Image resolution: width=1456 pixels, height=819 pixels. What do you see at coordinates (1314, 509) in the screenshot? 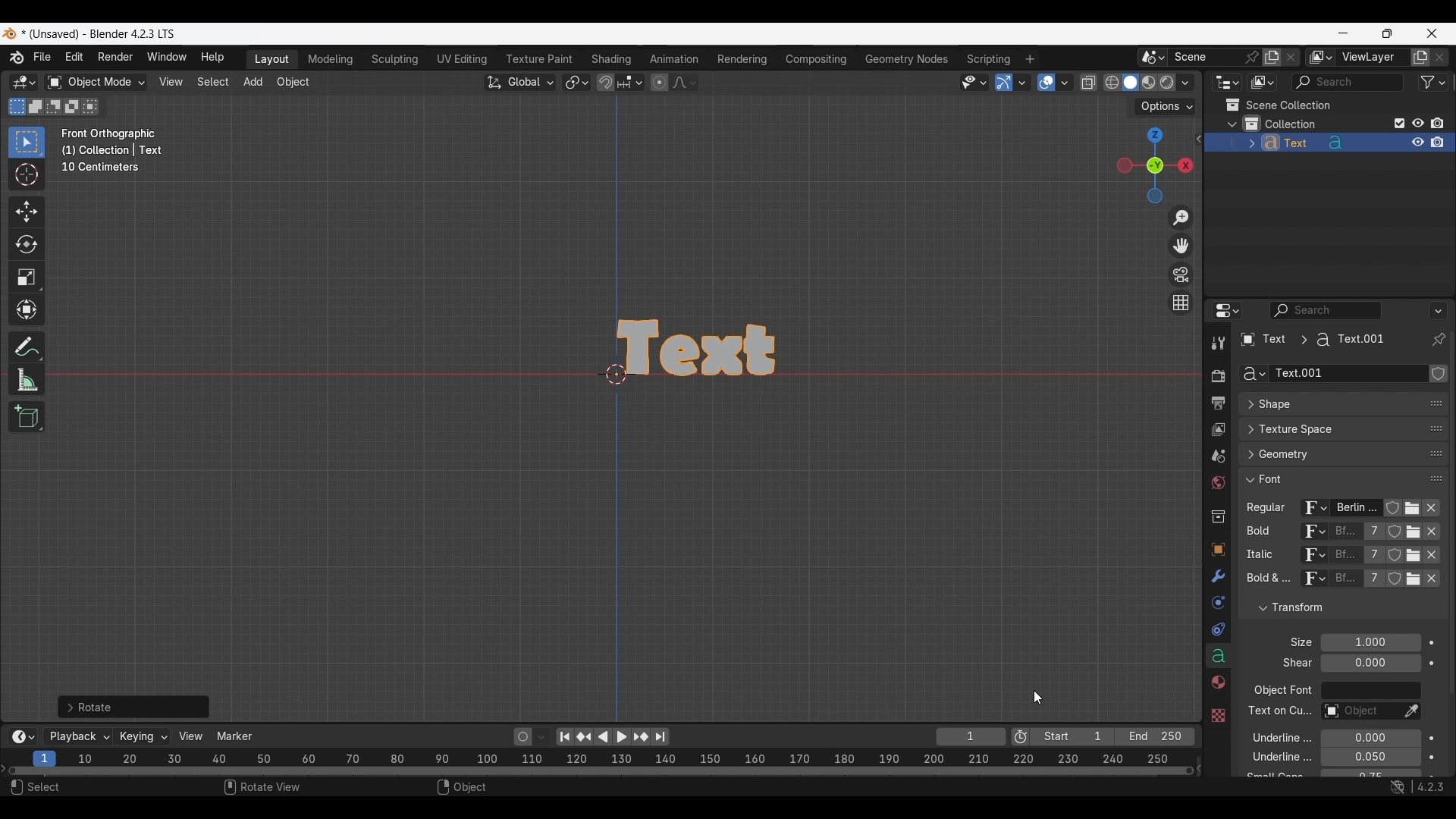
I see `Browse ID data to be linked for respective attribute` at bounding box center [1314, 509].